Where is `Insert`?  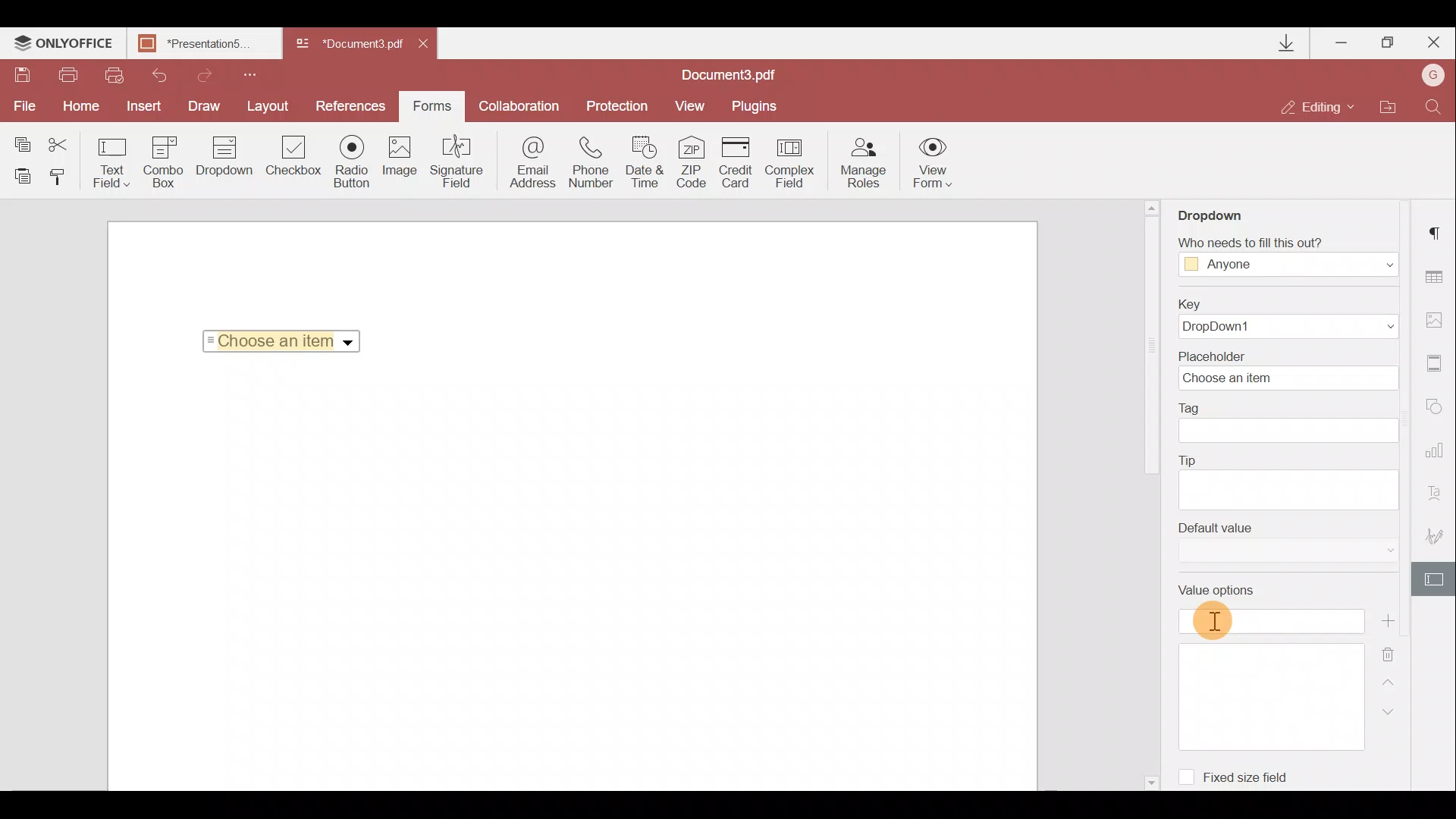
Insert is located at coordinates (140, 103).